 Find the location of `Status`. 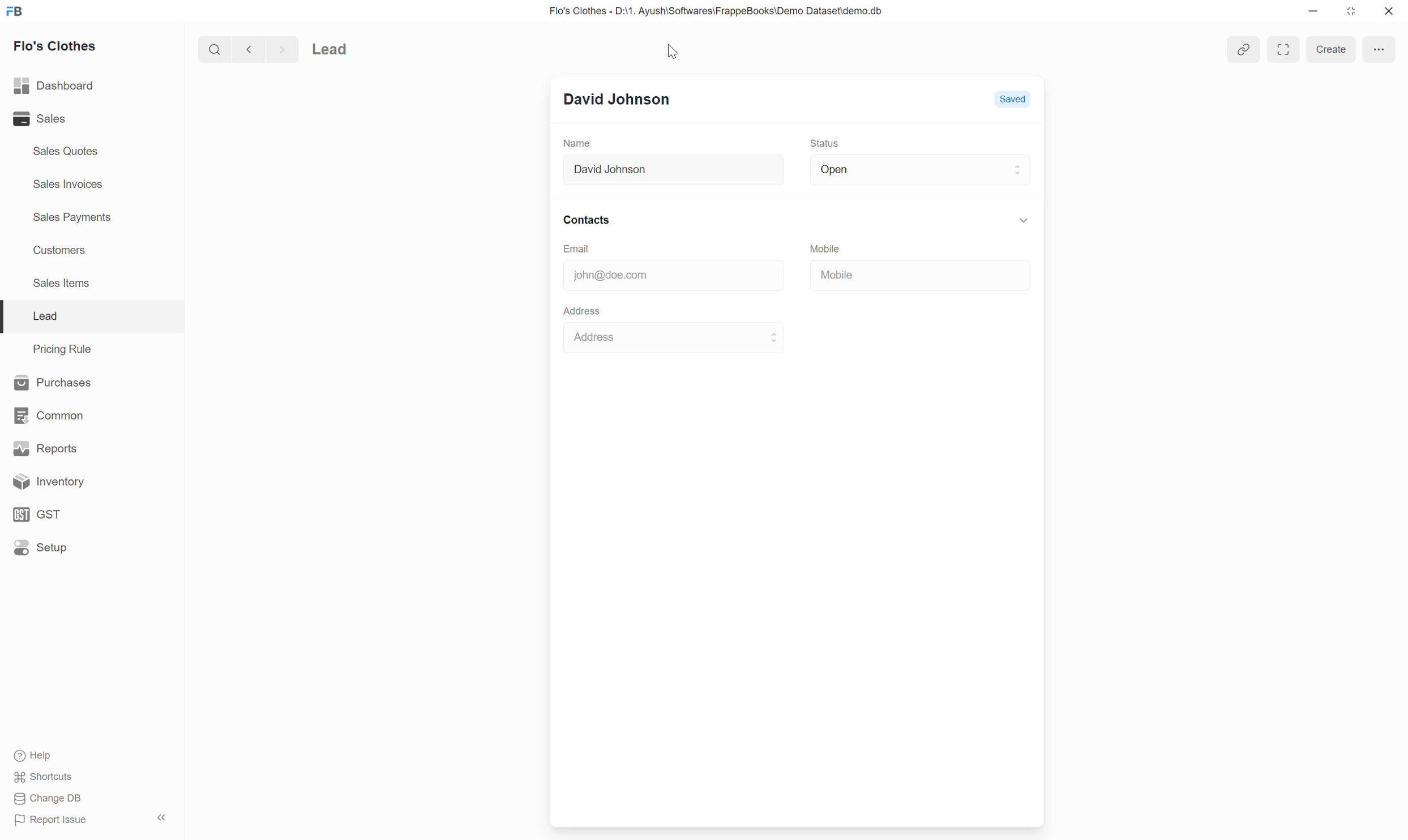

Status is located at coordinates (826, 143).